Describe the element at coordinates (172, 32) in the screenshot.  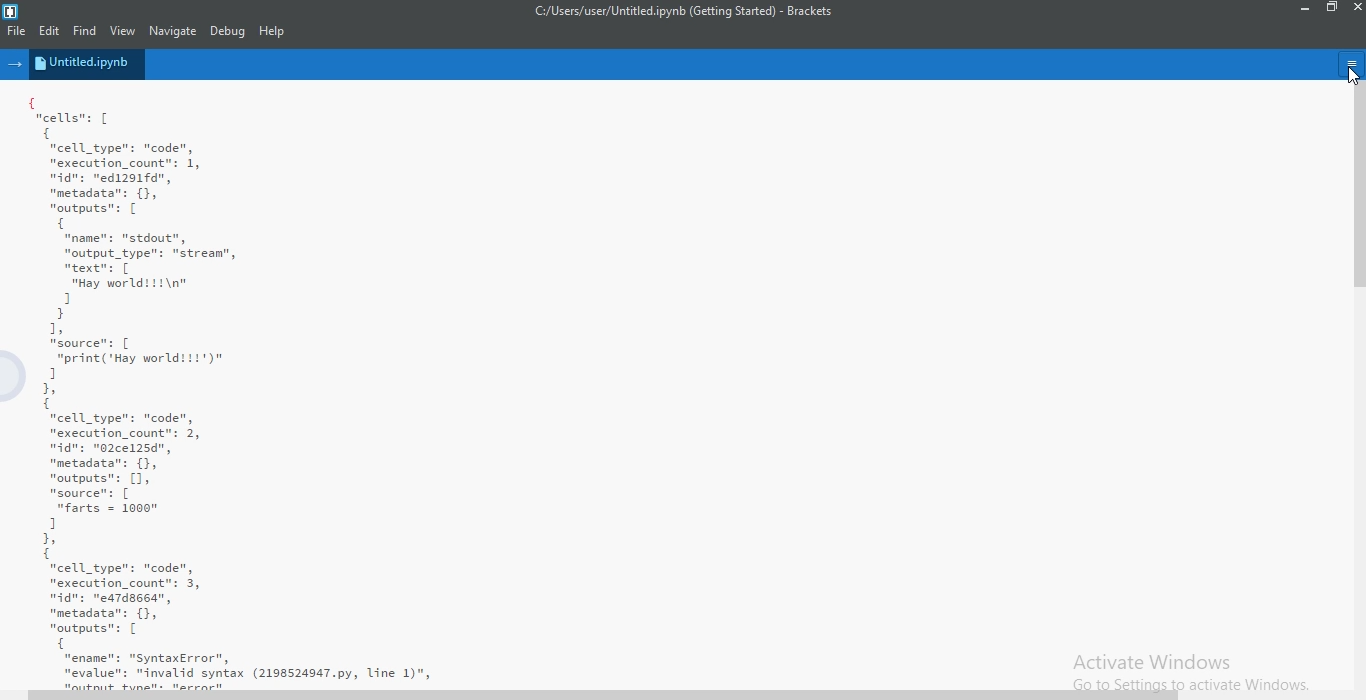
I see `Navigate` at that location.